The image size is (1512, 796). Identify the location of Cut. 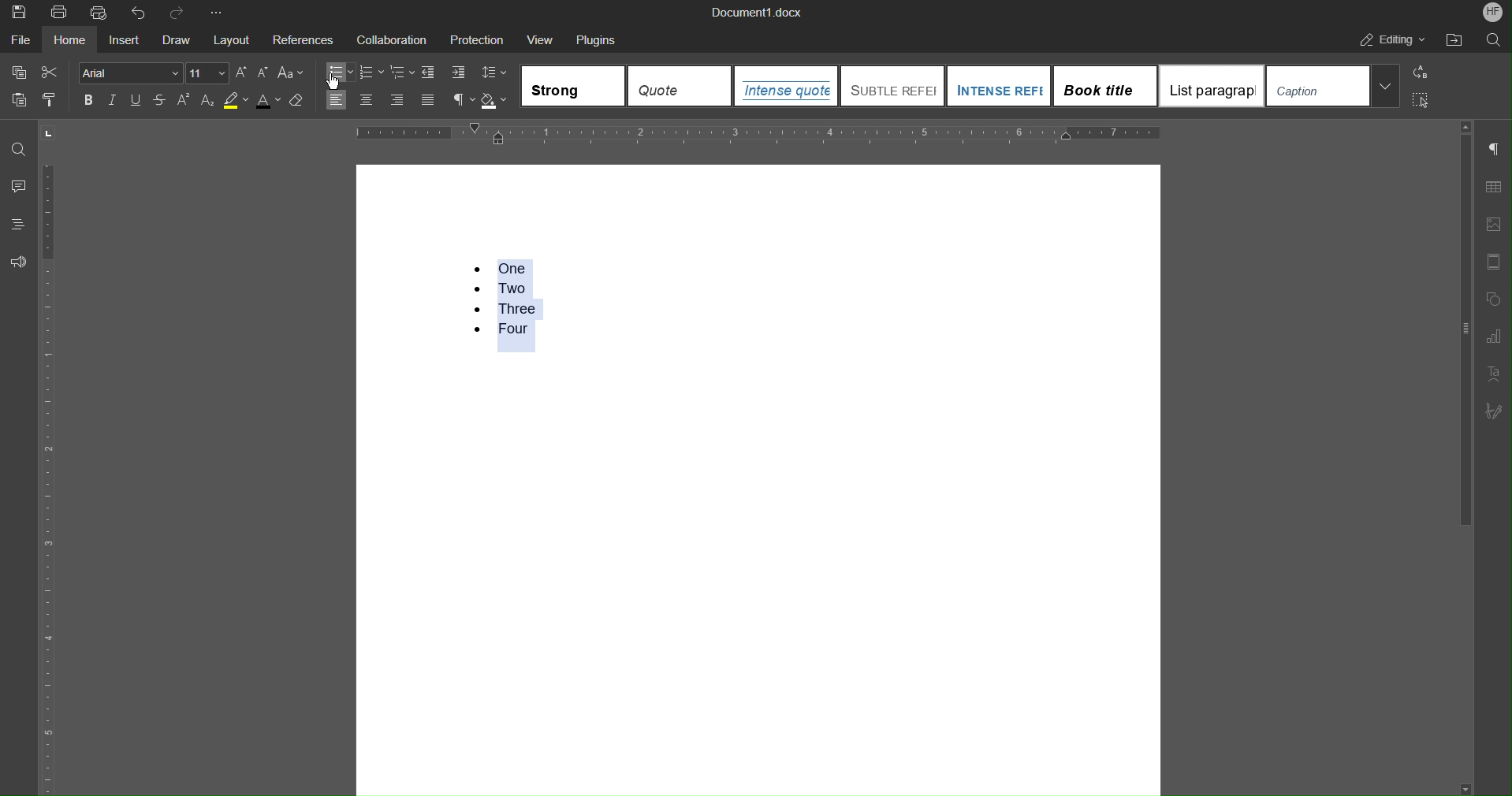
(50, 73).